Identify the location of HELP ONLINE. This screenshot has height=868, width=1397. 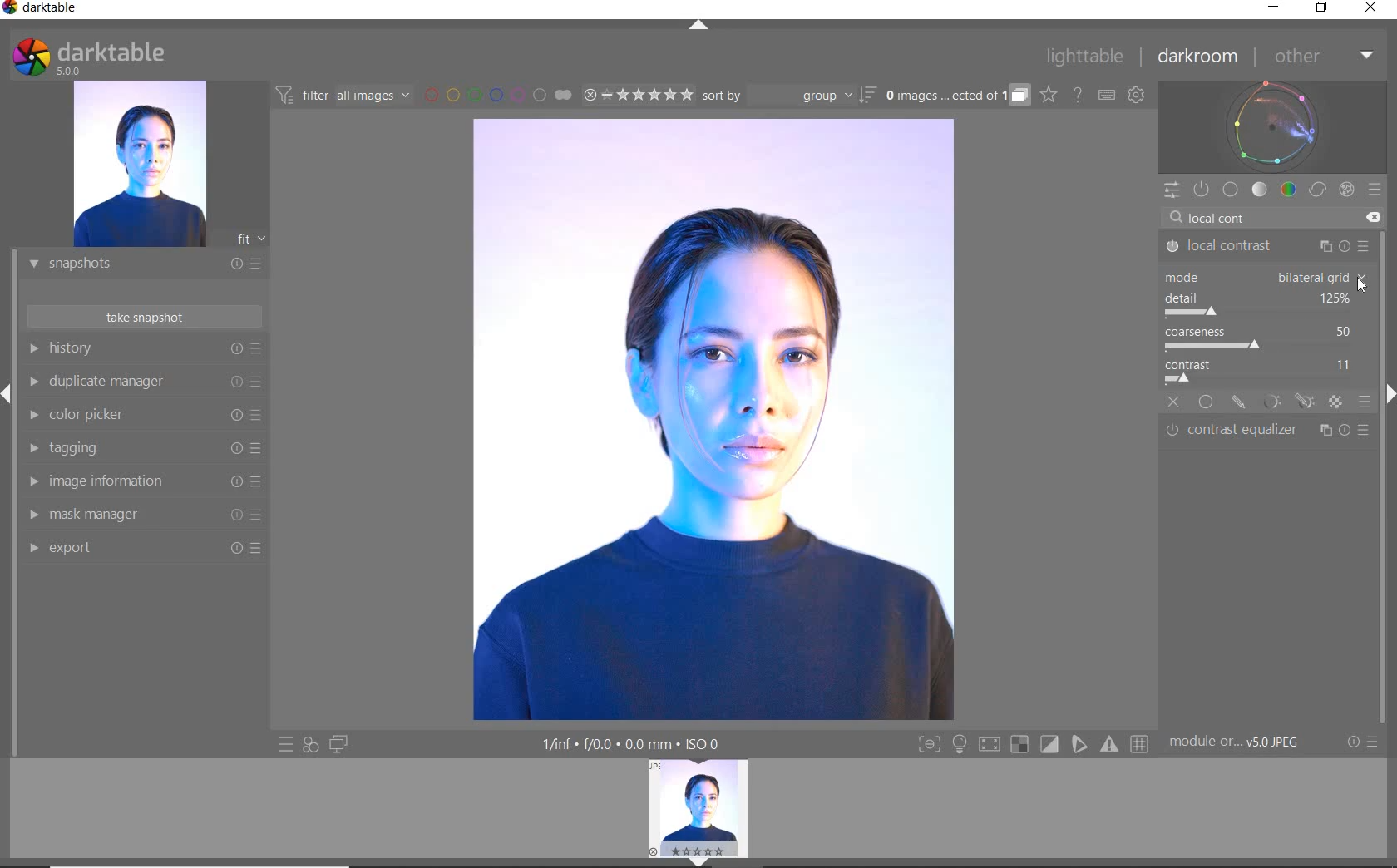
(1078, 94).